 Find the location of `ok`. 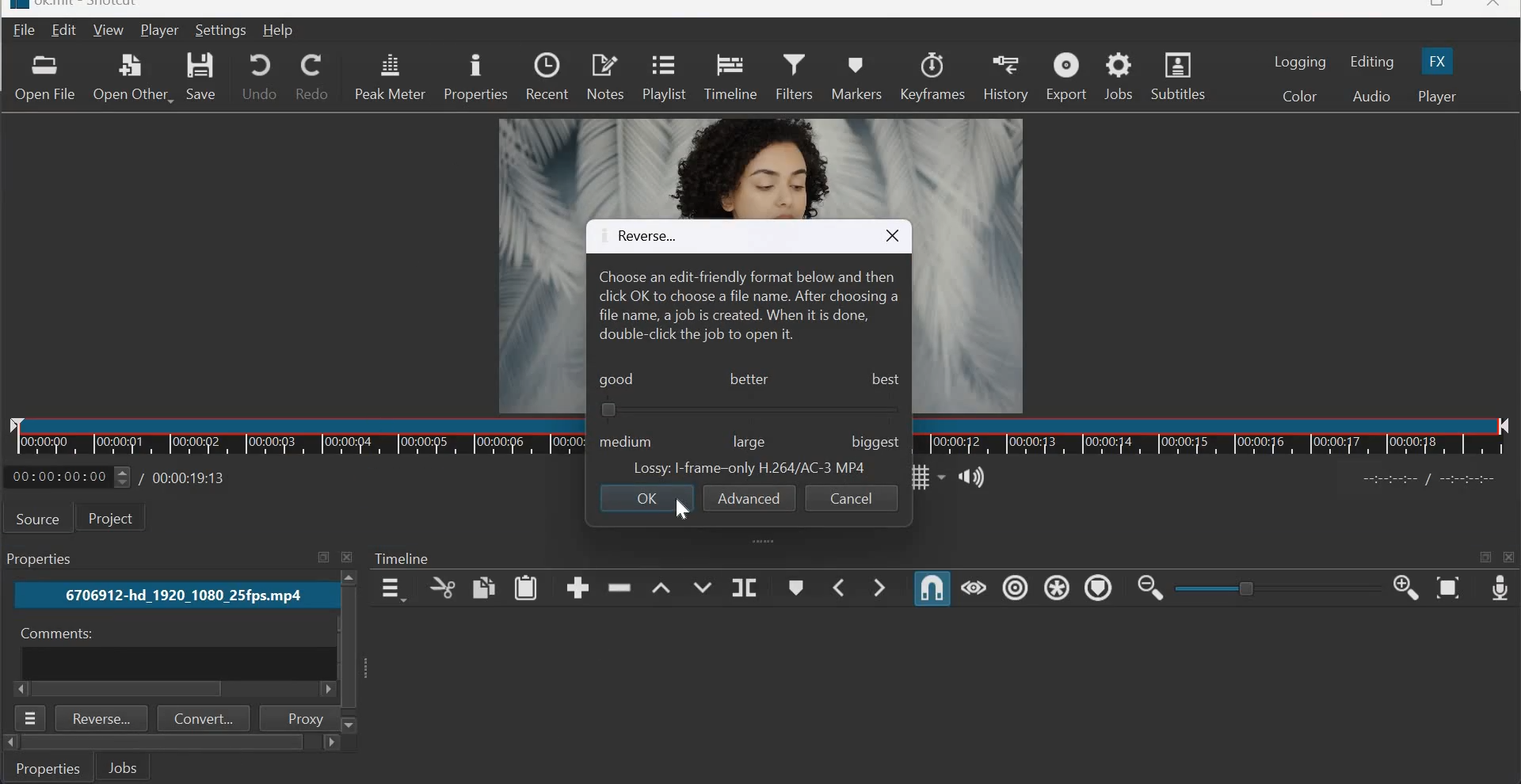

ok is located at coordinates (645, 498).